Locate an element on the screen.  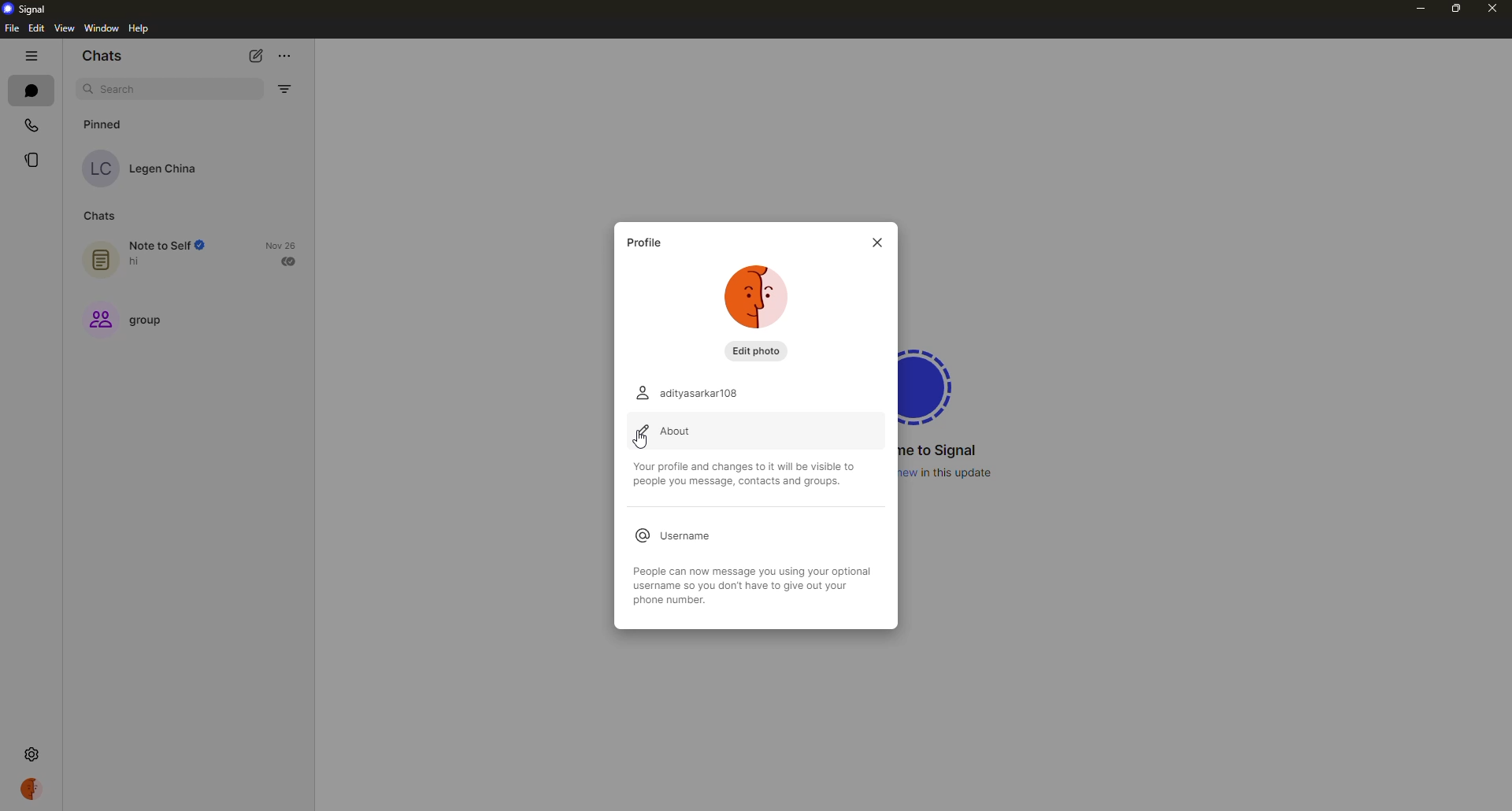
group is located at coordinates (130, 322).